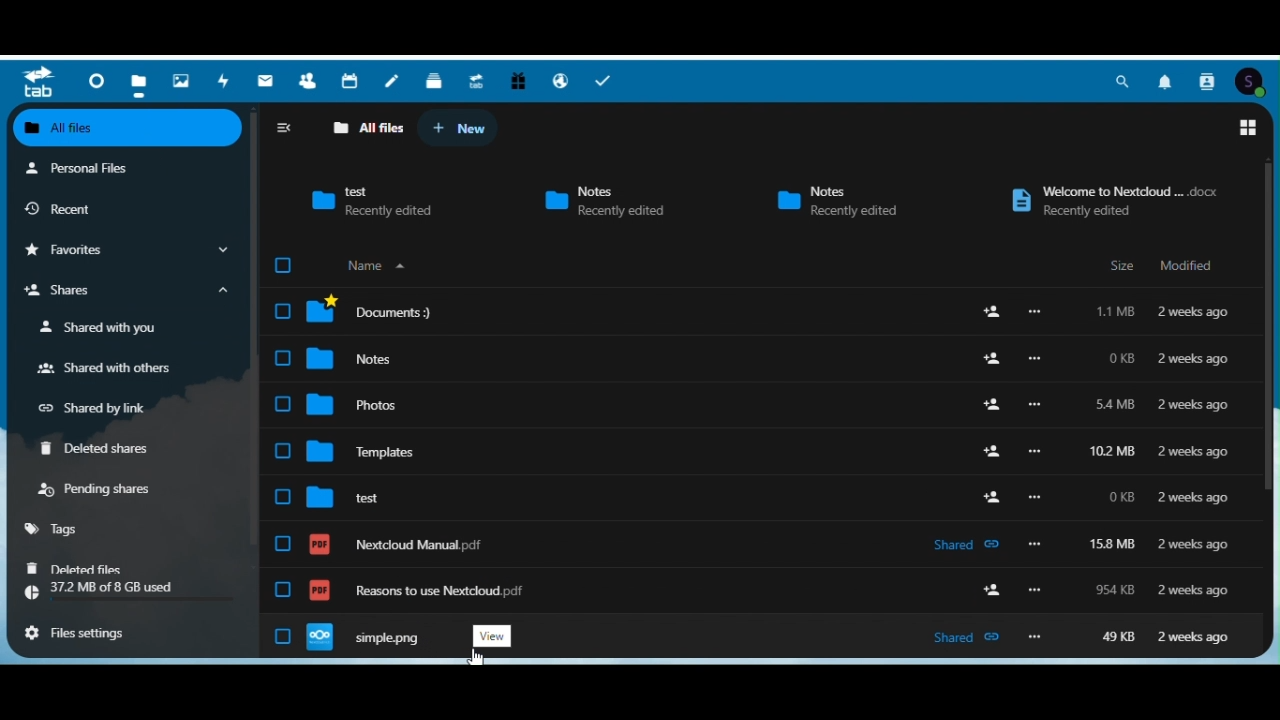  I want to click on New, so click(458, 128).